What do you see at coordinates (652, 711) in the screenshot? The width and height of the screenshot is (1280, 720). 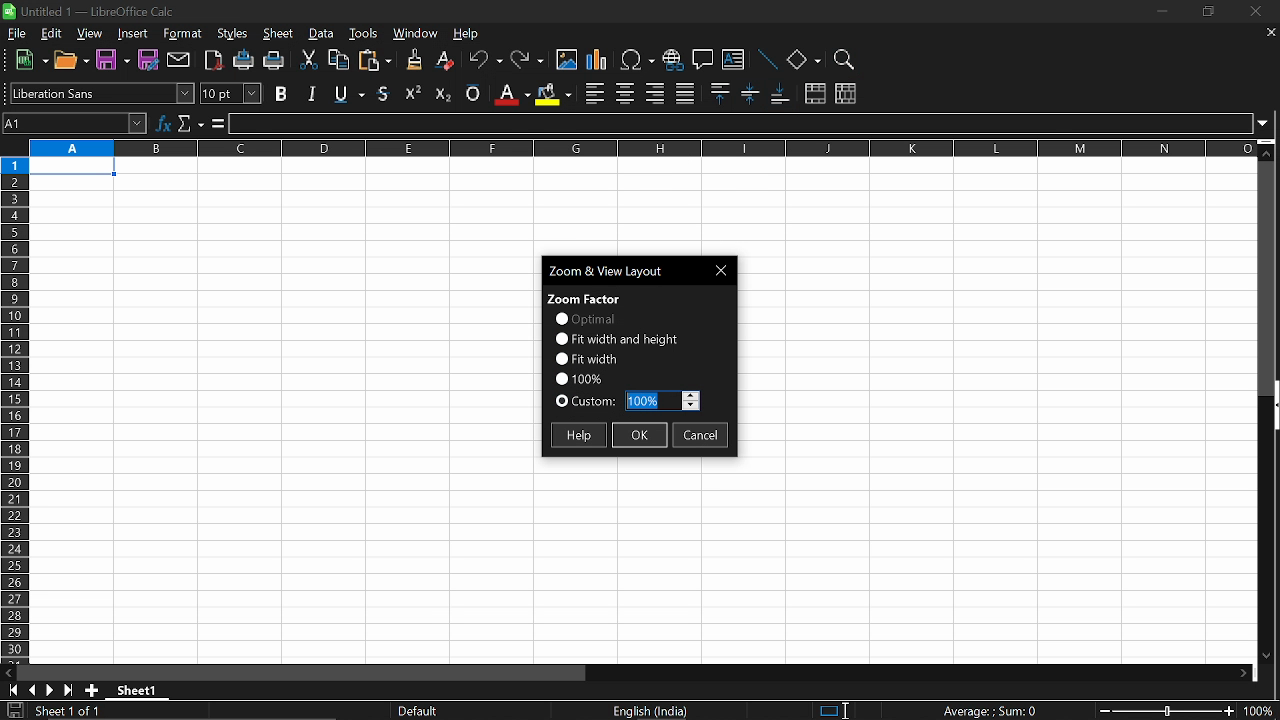 I see `current language` at bounding box center [652, 711].